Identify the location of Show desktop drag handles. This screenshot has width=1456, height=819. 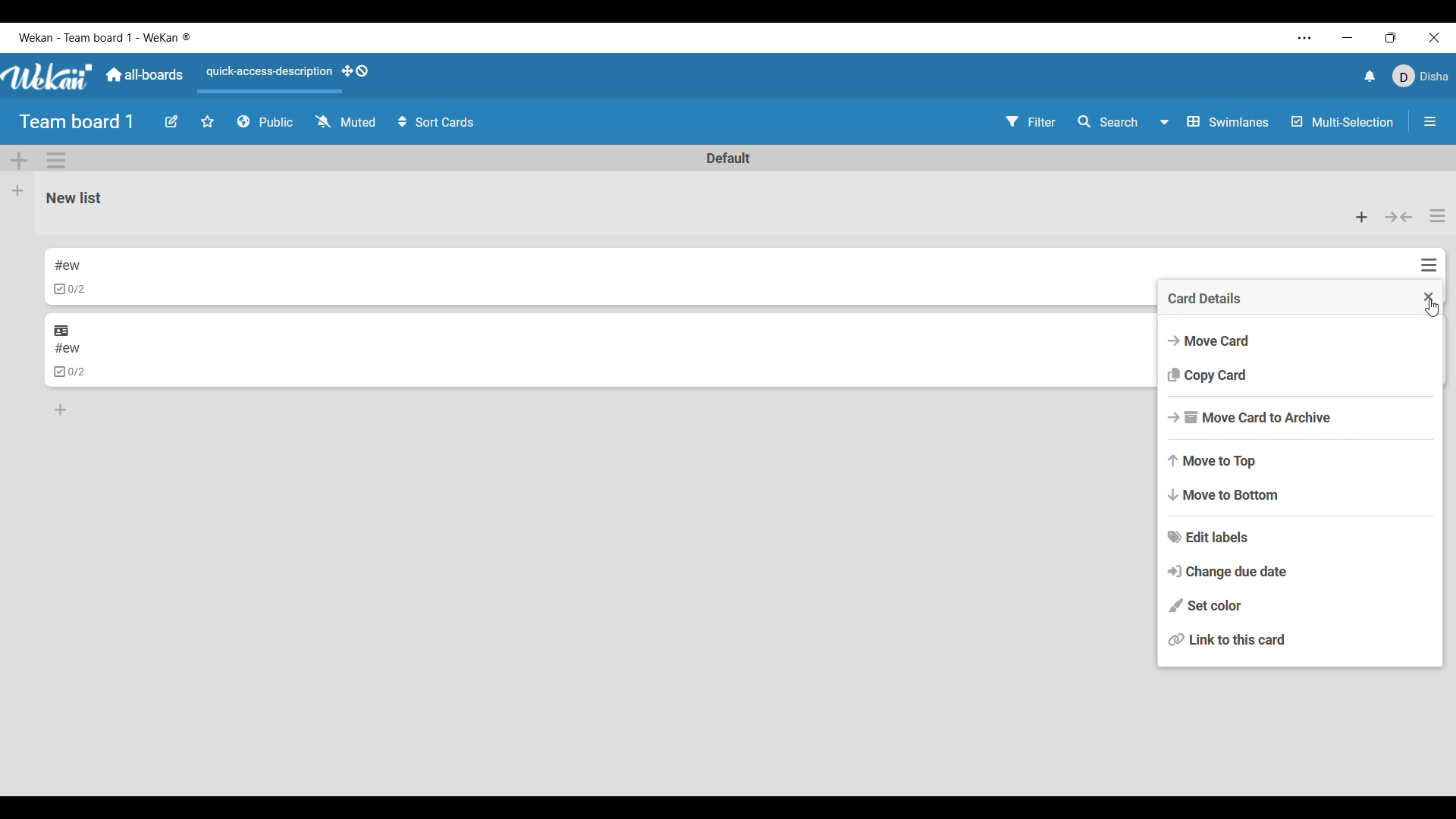
(355, 71).